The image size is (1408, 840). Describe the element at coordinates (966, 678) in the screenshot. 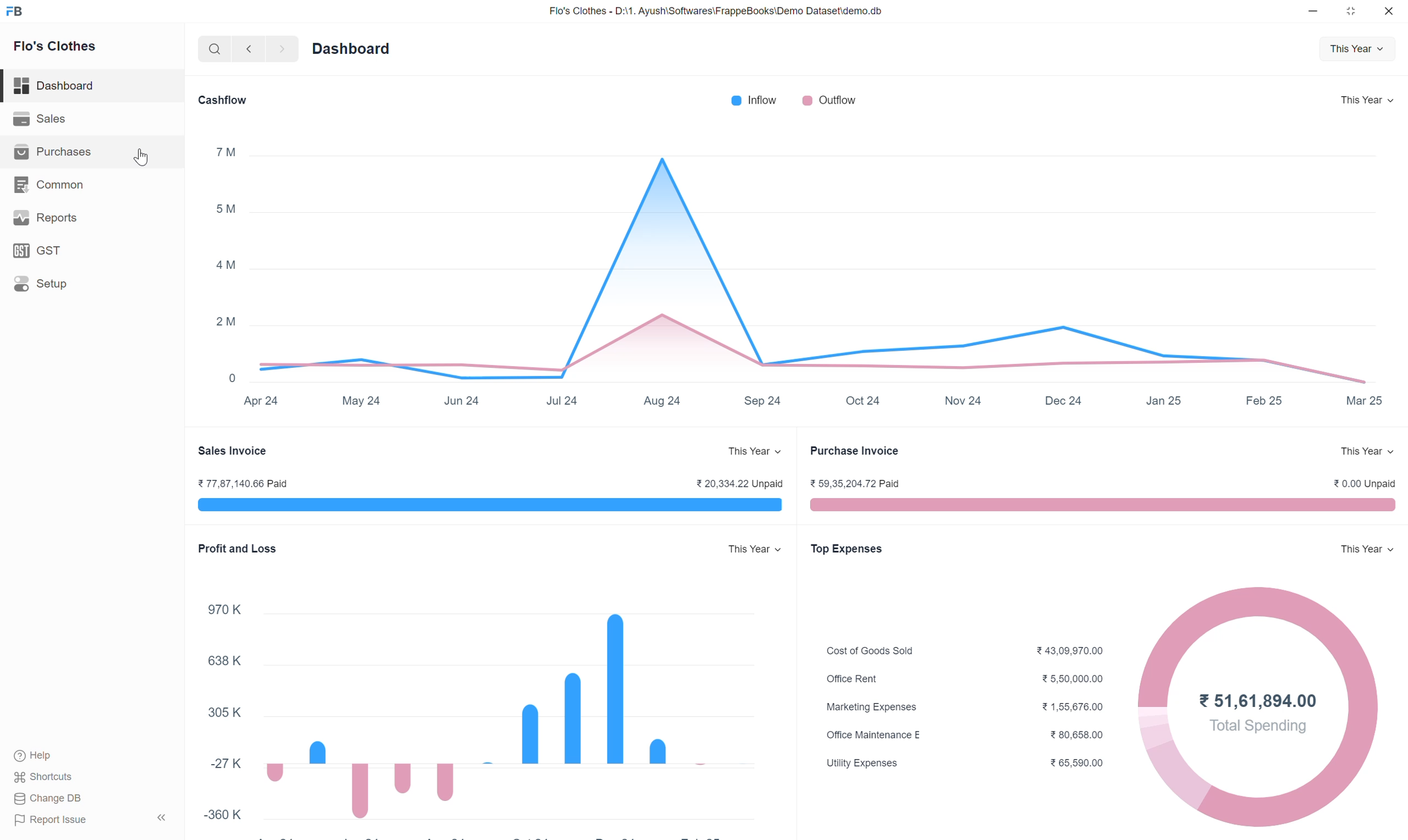

I see `Office Rent 5,50,000.00` at that location.